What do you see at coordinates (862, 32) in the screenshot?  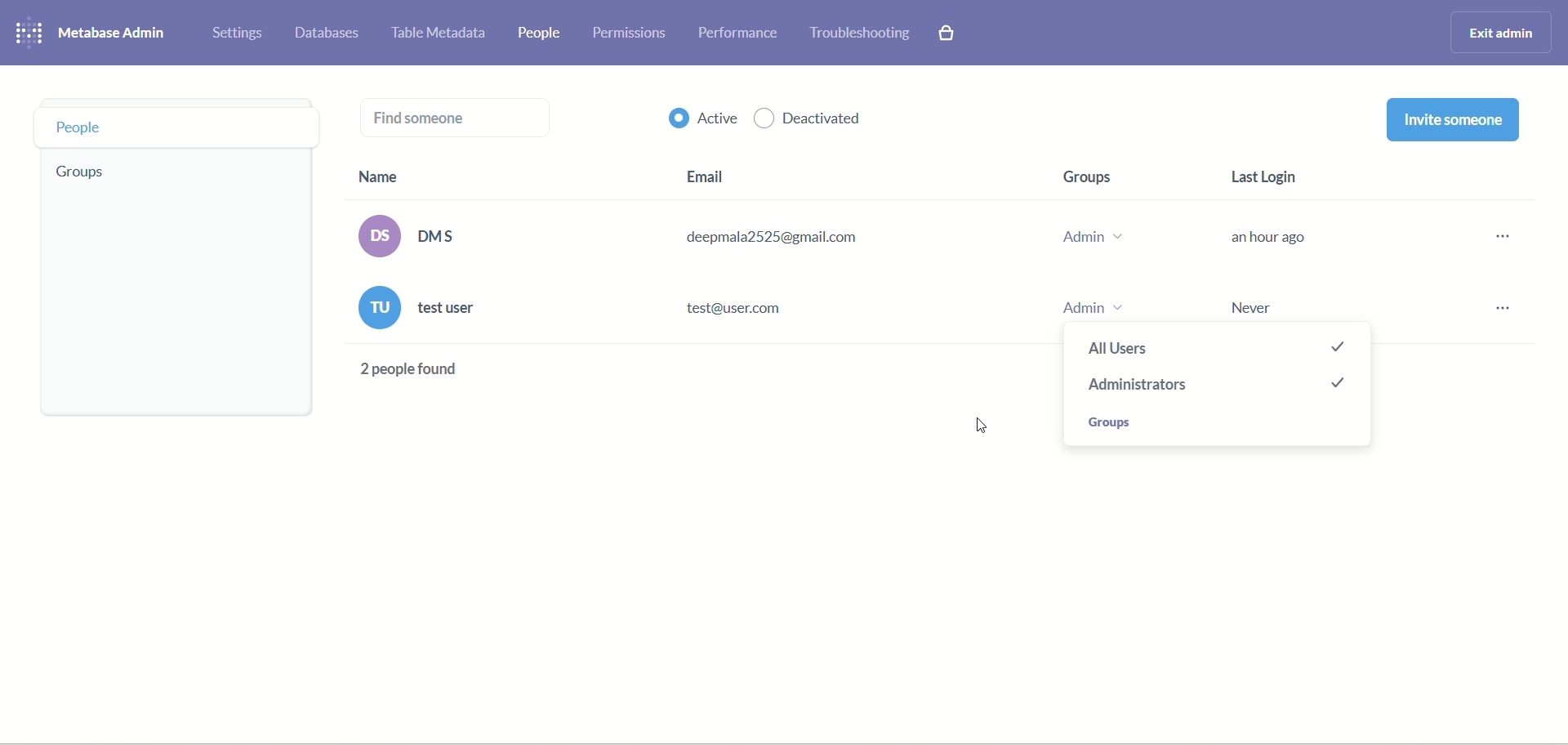 I see `troubleshooting` at bounding box center [862, 32].